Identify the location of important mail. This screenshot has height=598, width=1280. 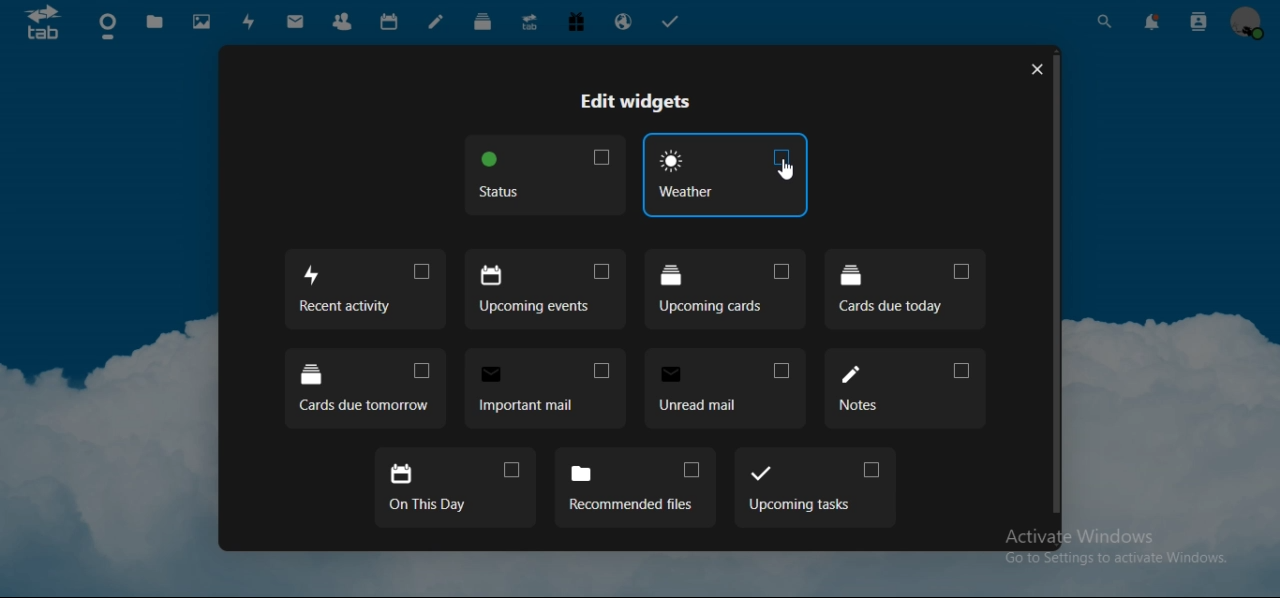
(545, 385).